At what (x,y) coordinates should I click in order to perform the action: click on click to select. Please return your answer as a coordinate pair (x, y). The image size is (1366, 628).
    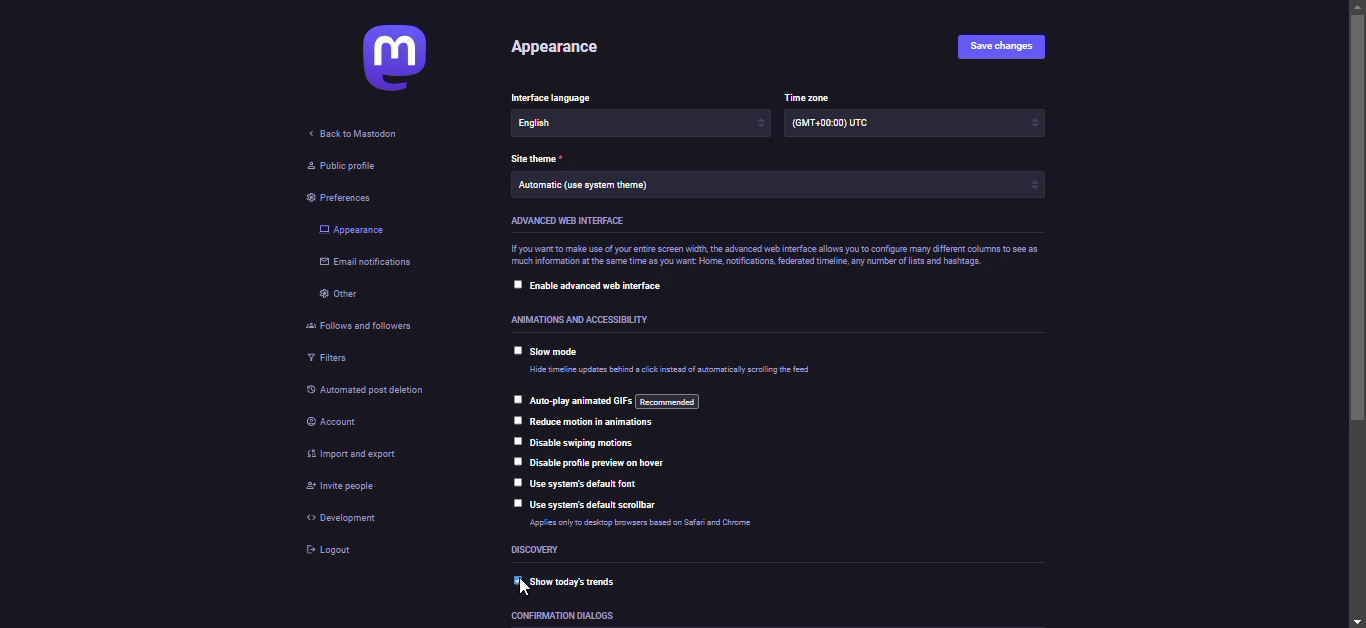
    Looking at the image, I should click on (517, 462).